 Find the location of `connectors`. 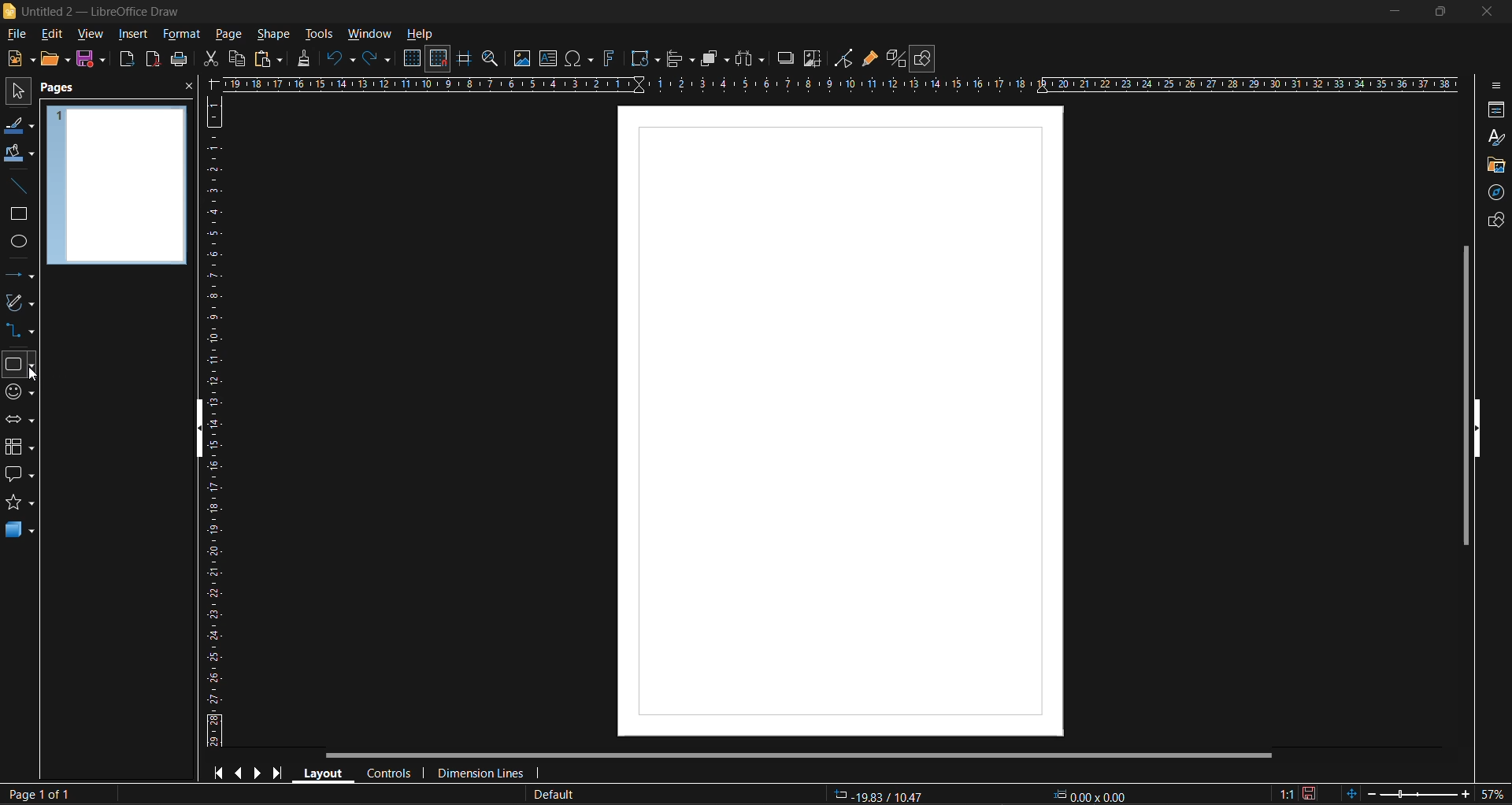

connectors is located at coordinates (18, 329).